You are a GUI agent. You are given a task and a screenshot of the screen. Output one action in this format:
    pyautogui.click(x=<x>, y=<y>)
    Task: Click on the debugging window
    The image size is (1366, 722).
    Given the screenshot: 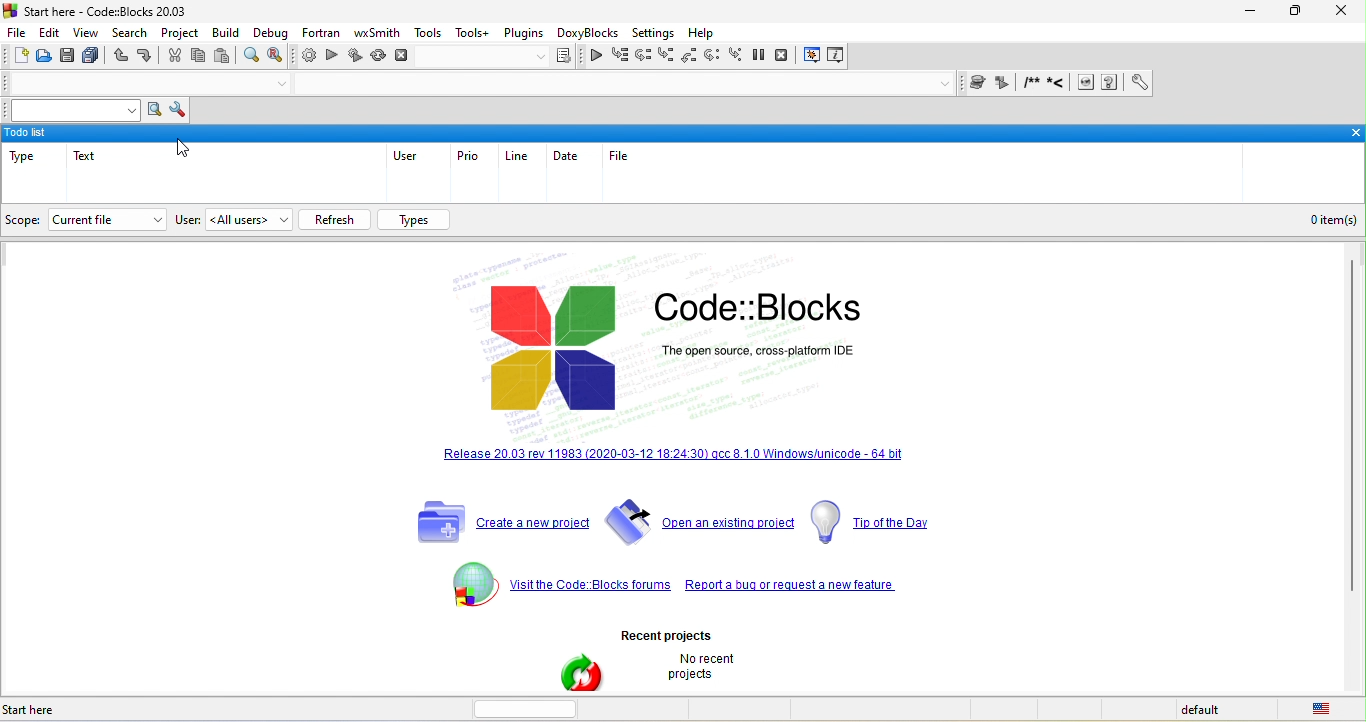 What is the action you would take?
    pyautogui.click(x=813, y=56)
    